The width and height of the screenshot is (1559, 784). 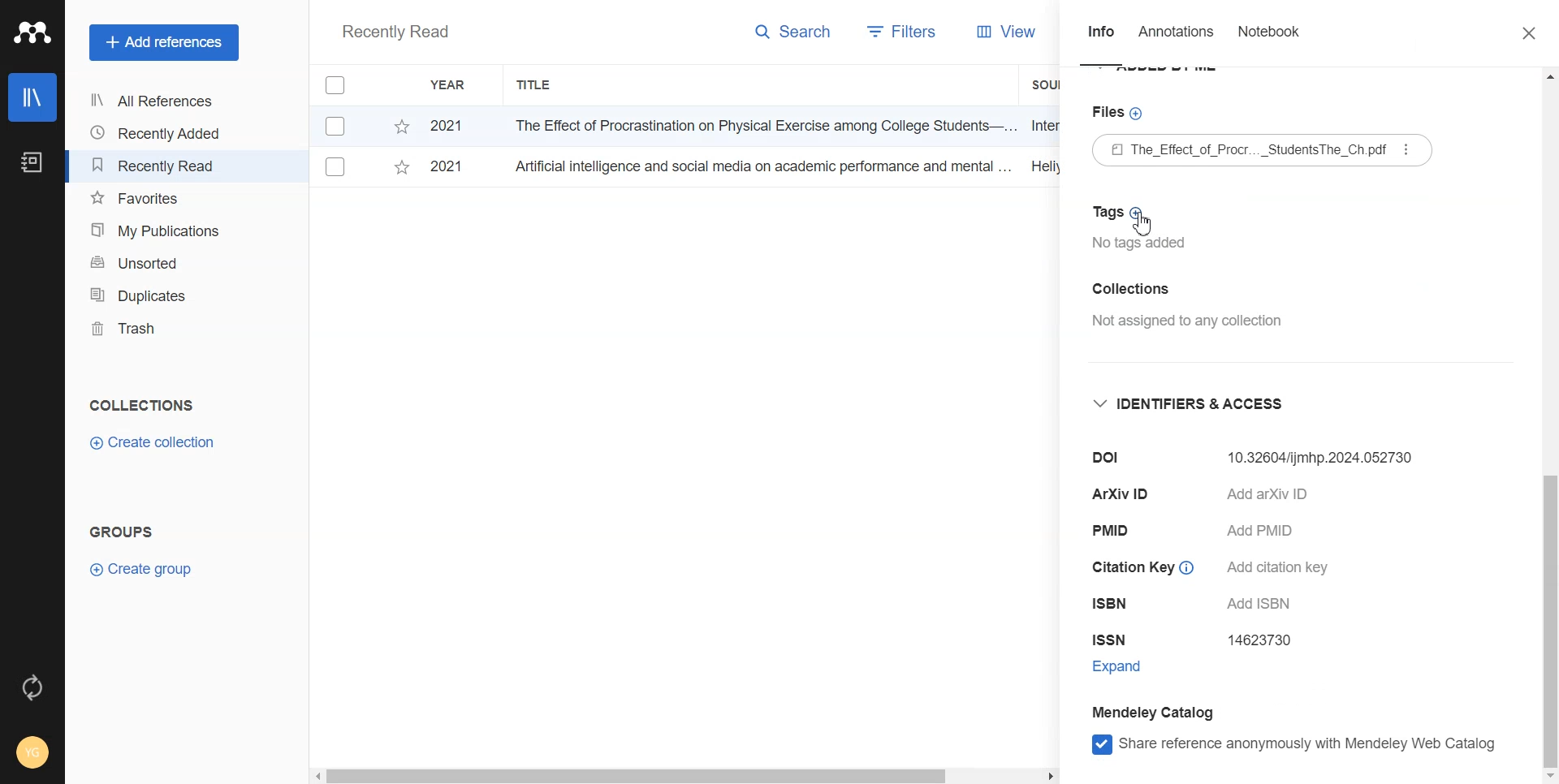 What do you see at coordinates (1225, 496) in the screenshot?
I see `ArXiv ID Add arXiv ID` at bounding box center [1225, 496].